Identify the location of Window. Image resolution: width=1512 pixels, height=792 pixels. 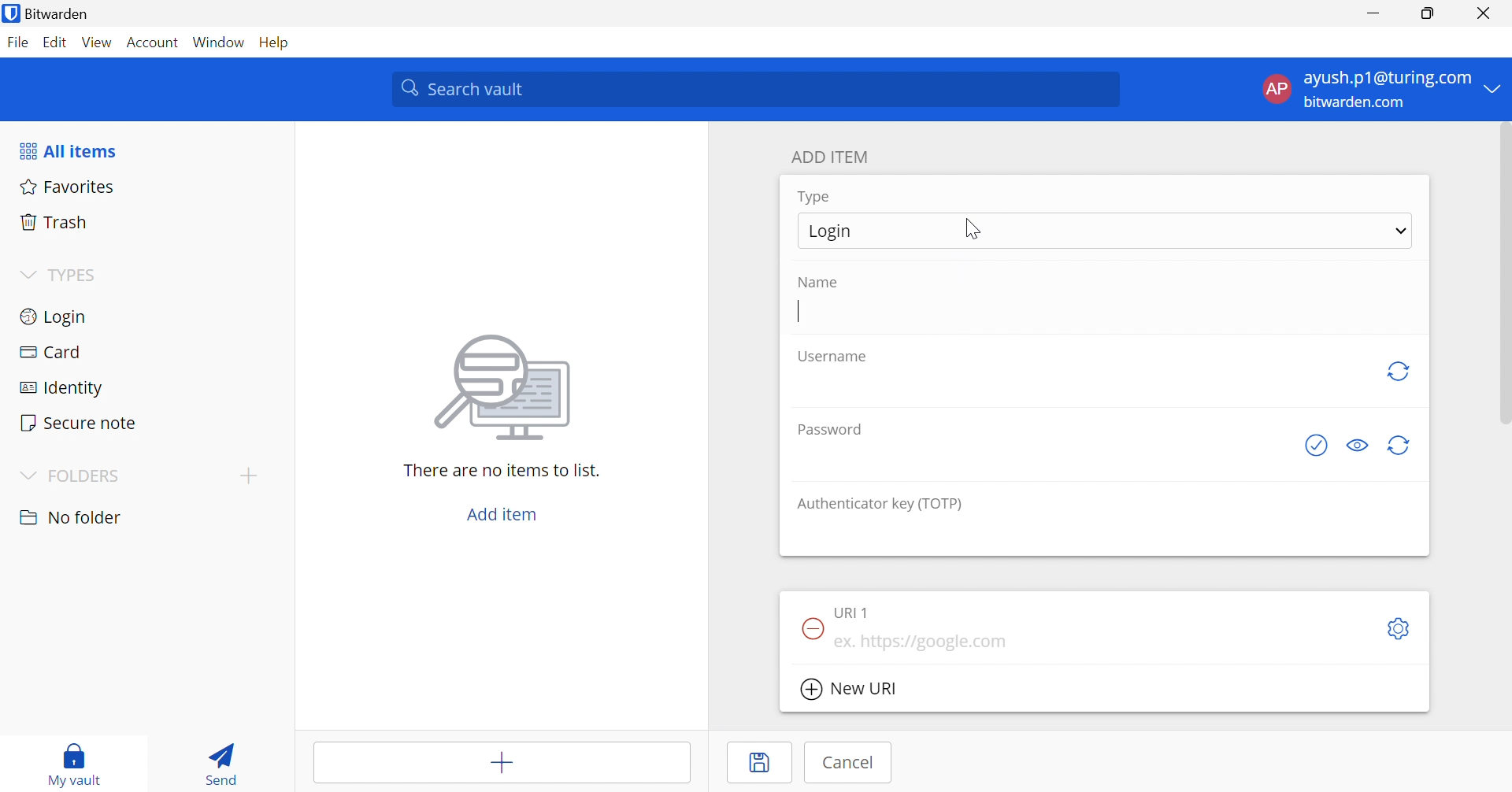
(220, 42).